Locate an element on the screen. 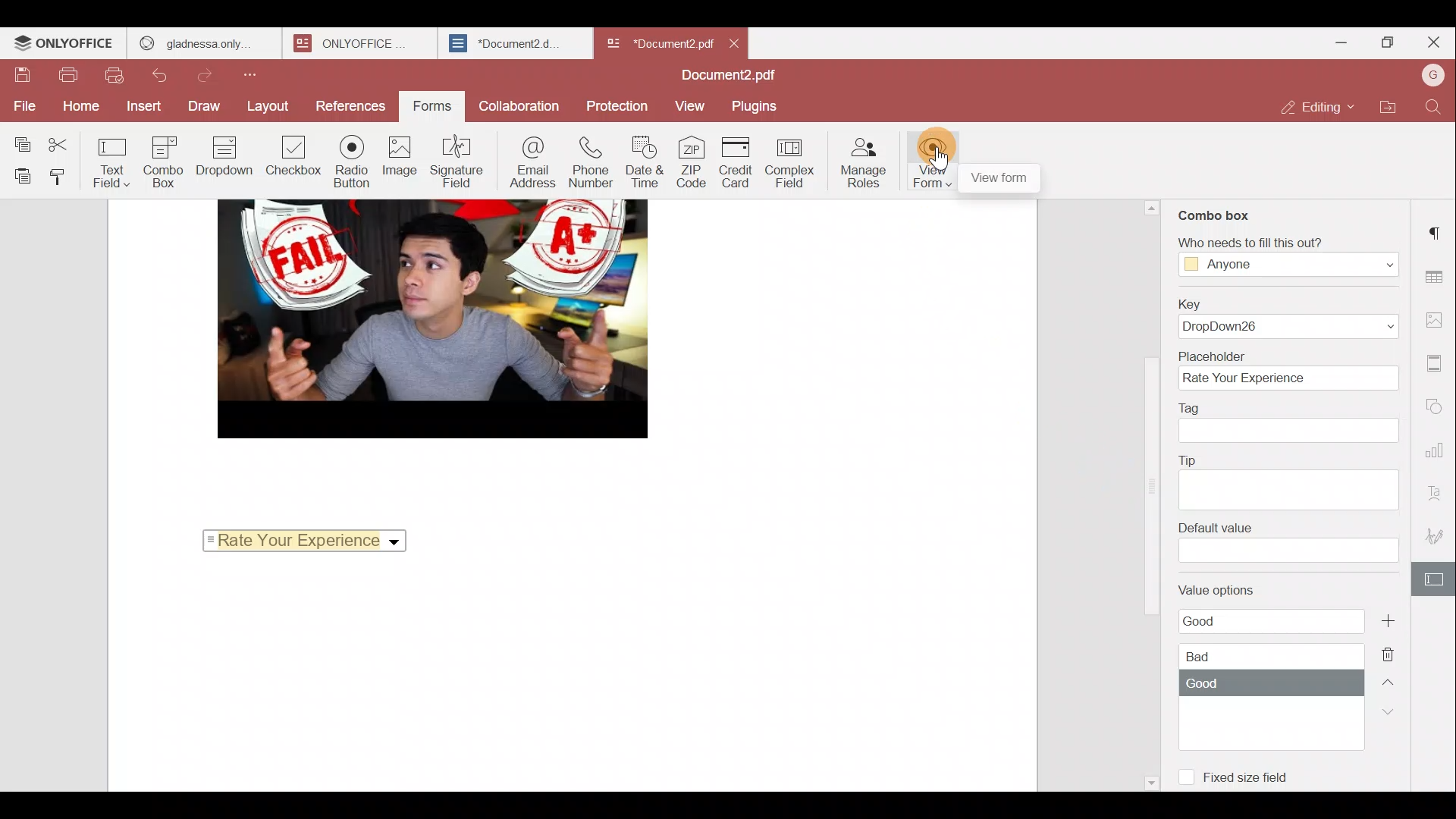 The height and width of the screenshot is (819, 1456). Key is located at coordinates (1288, 316).